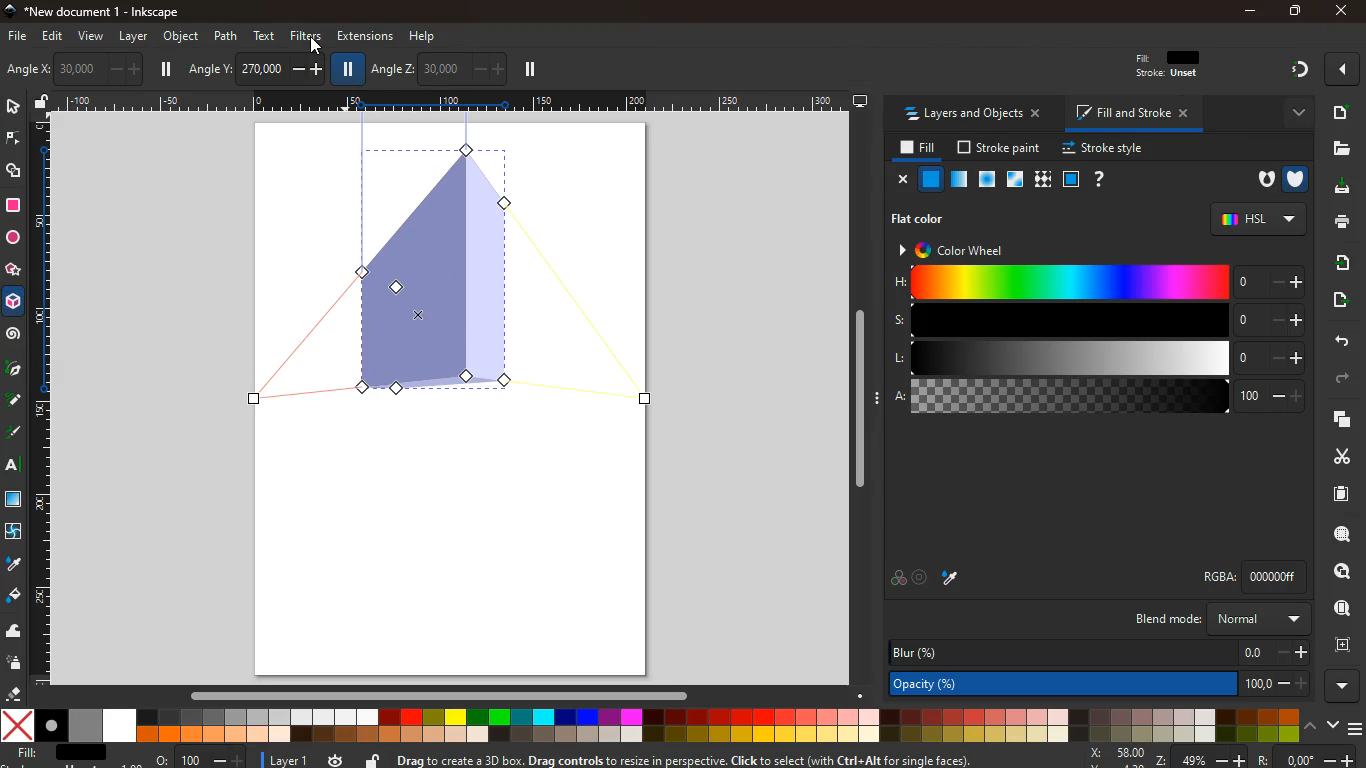 This screenshot has height=768, width=1366. Describe the element at coordinates (454, 269) in the screenshot. I see `image` at that location.